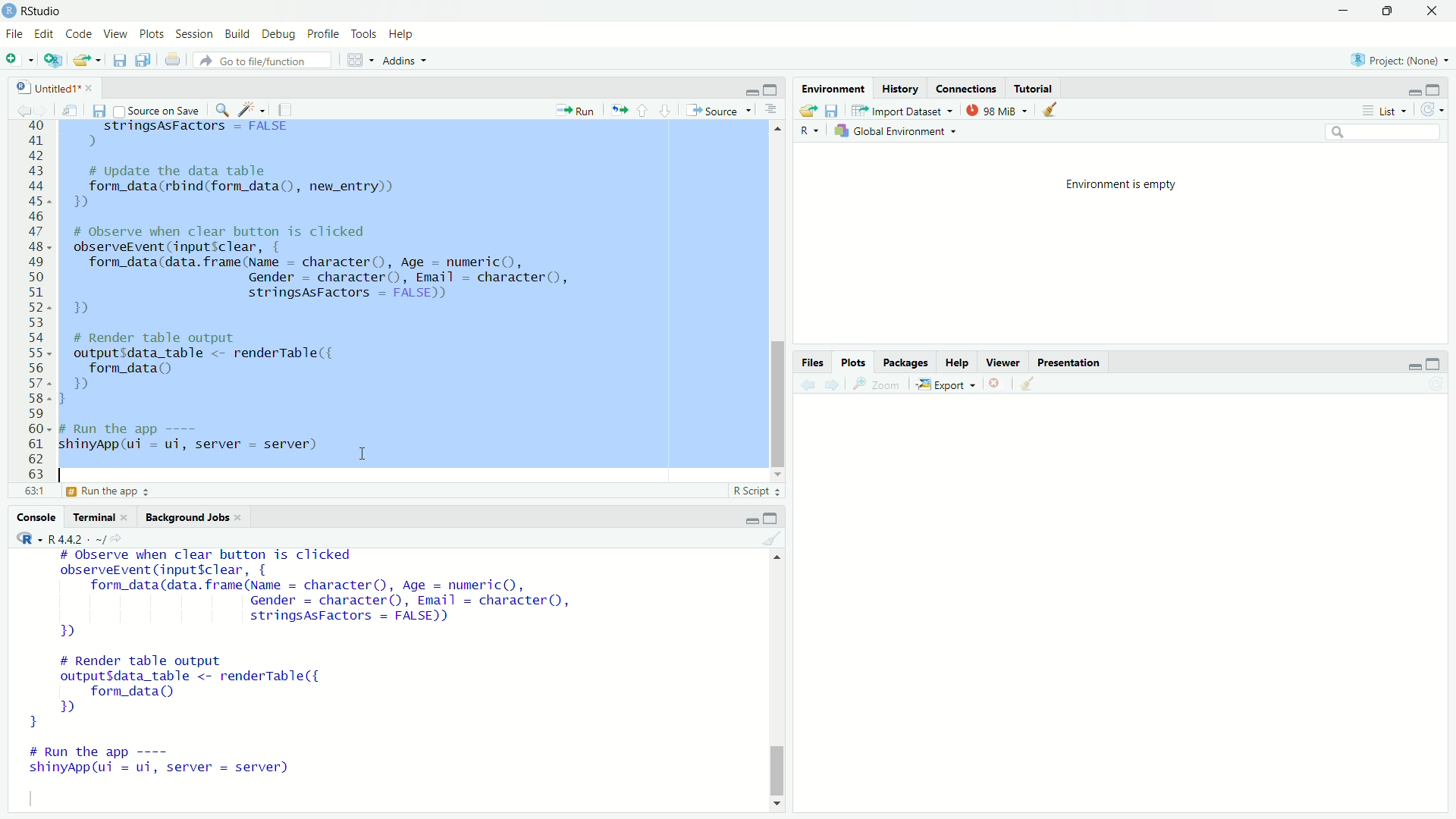 This screenshot has width=1456, height=819. Describe the element at coordinates (199, 438) in the screenshot. I see `code to run the app` at that location.